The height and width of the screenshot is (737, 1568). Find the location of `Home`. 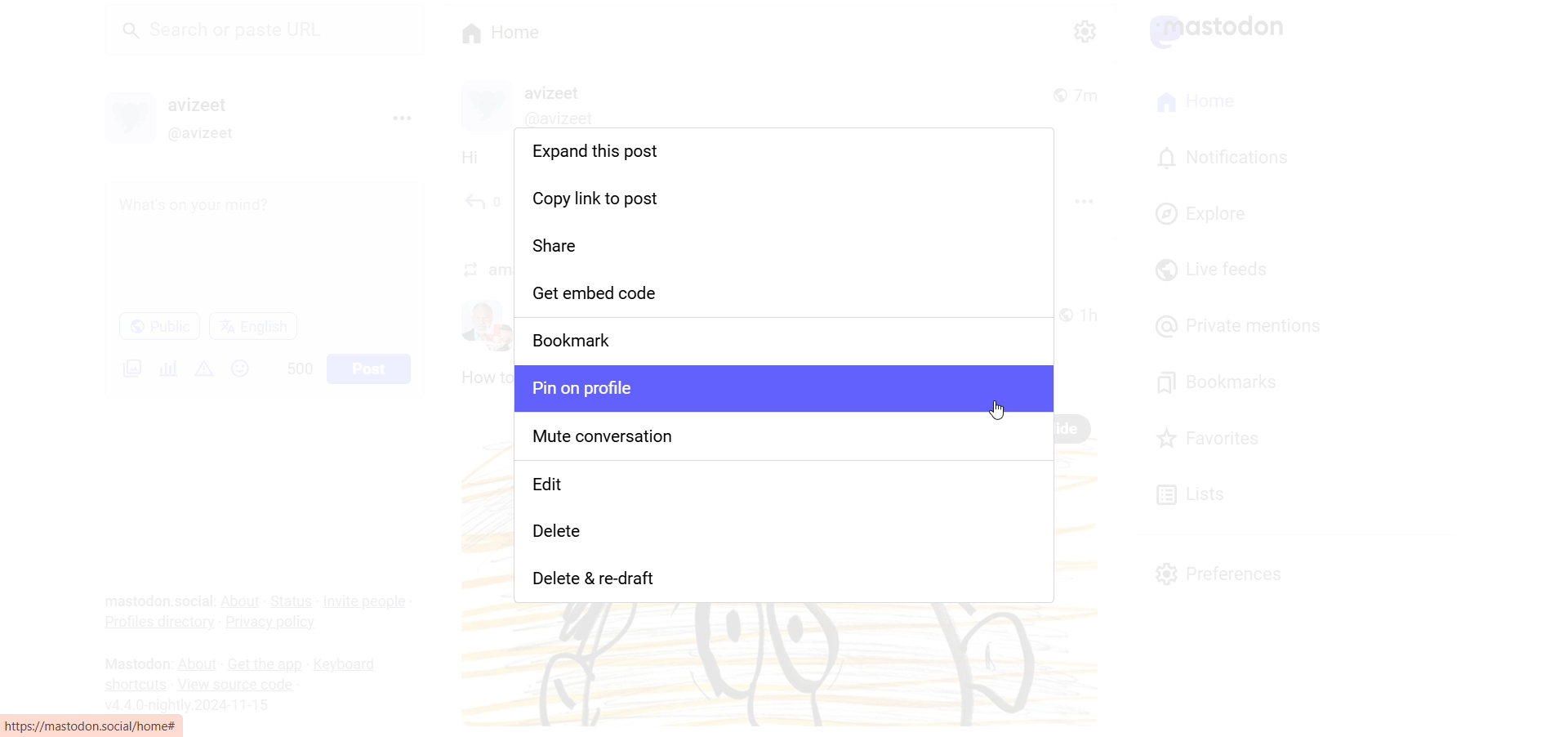

Home is located at coordinates (501, 31).